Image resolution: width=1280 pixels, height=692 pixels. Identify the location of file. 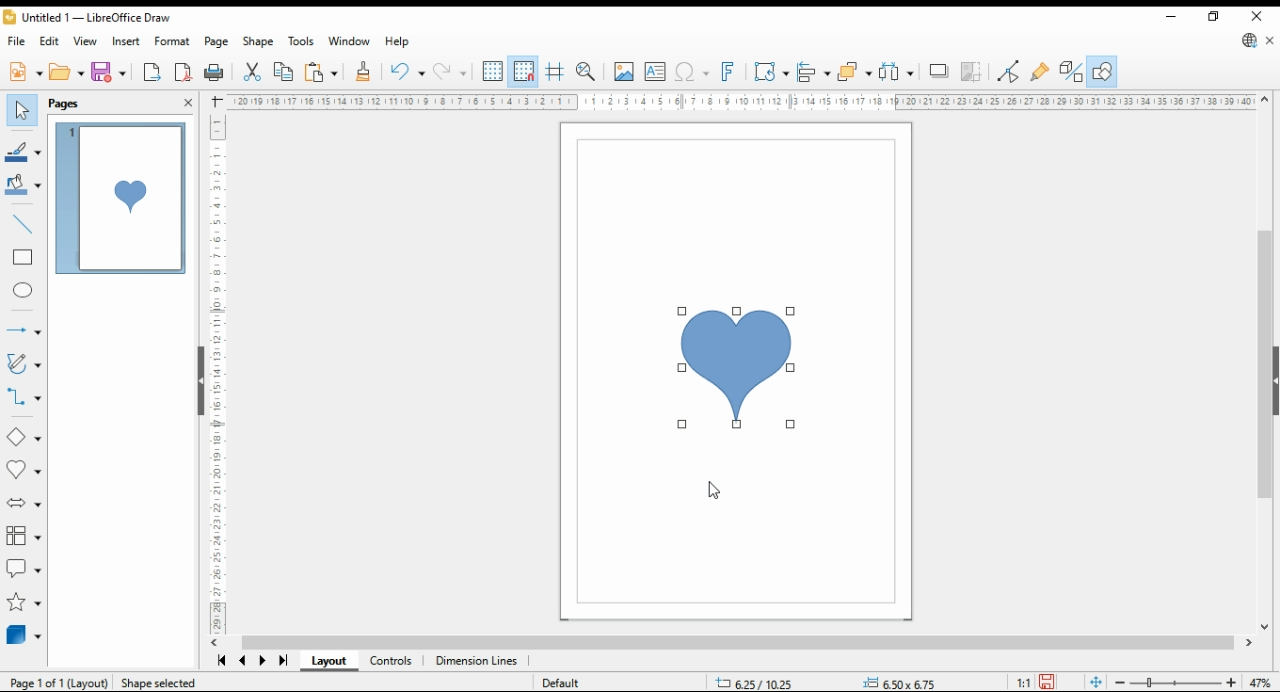
(15, 42).